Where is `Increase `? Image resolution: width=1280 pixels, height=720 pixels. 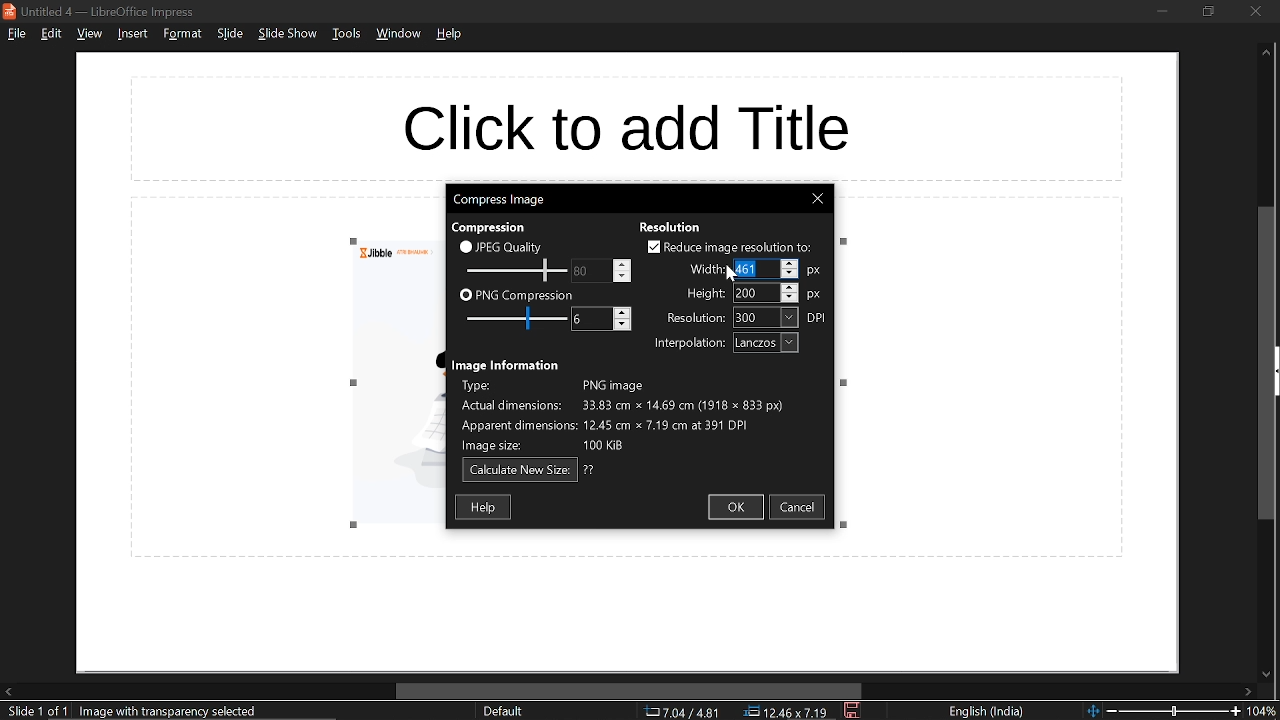
Increase  is located at coordinates (791, 263).